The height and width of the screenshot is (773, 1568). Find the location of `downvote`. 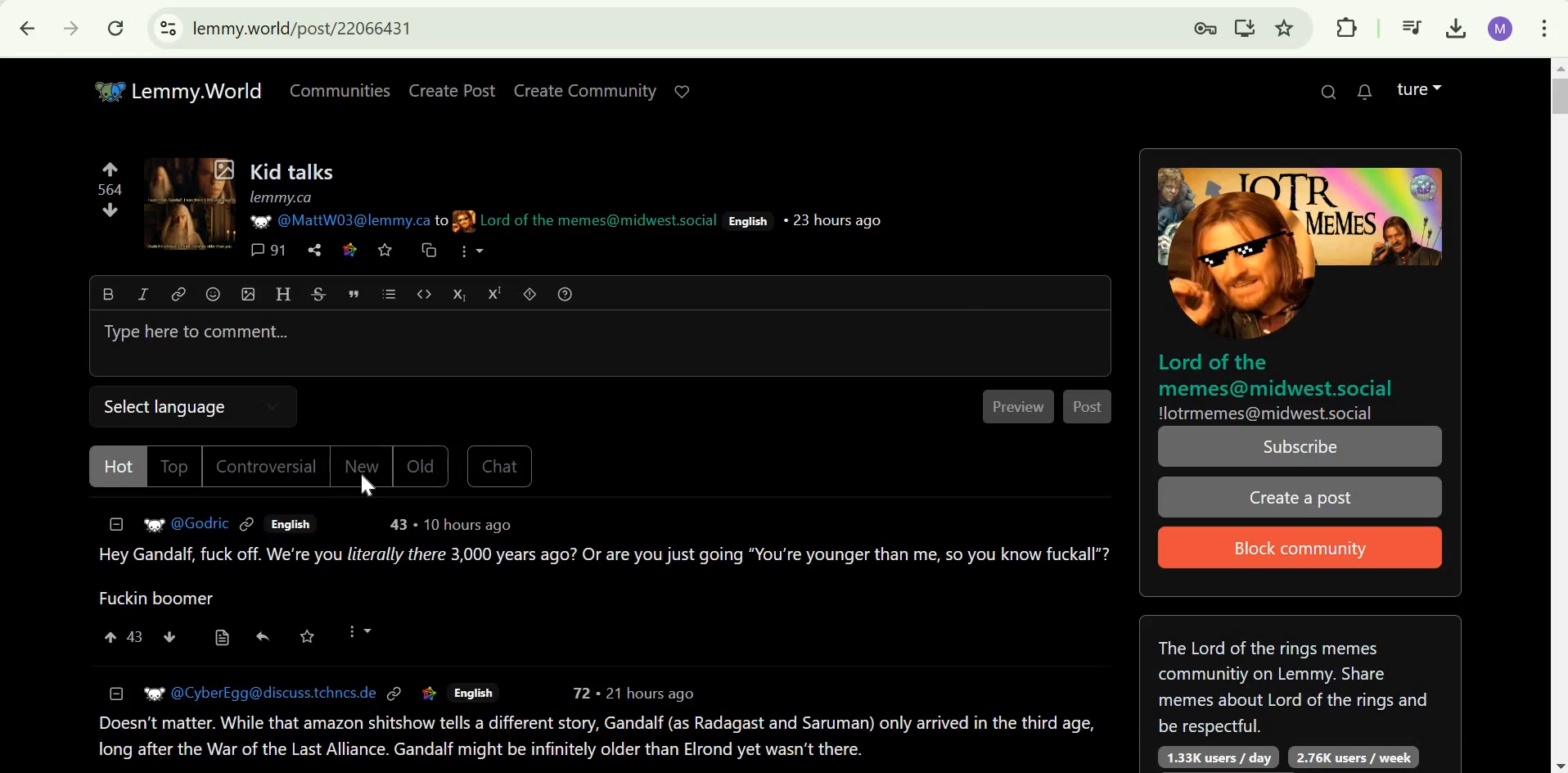

downvote is located at coordinates (110, 210).